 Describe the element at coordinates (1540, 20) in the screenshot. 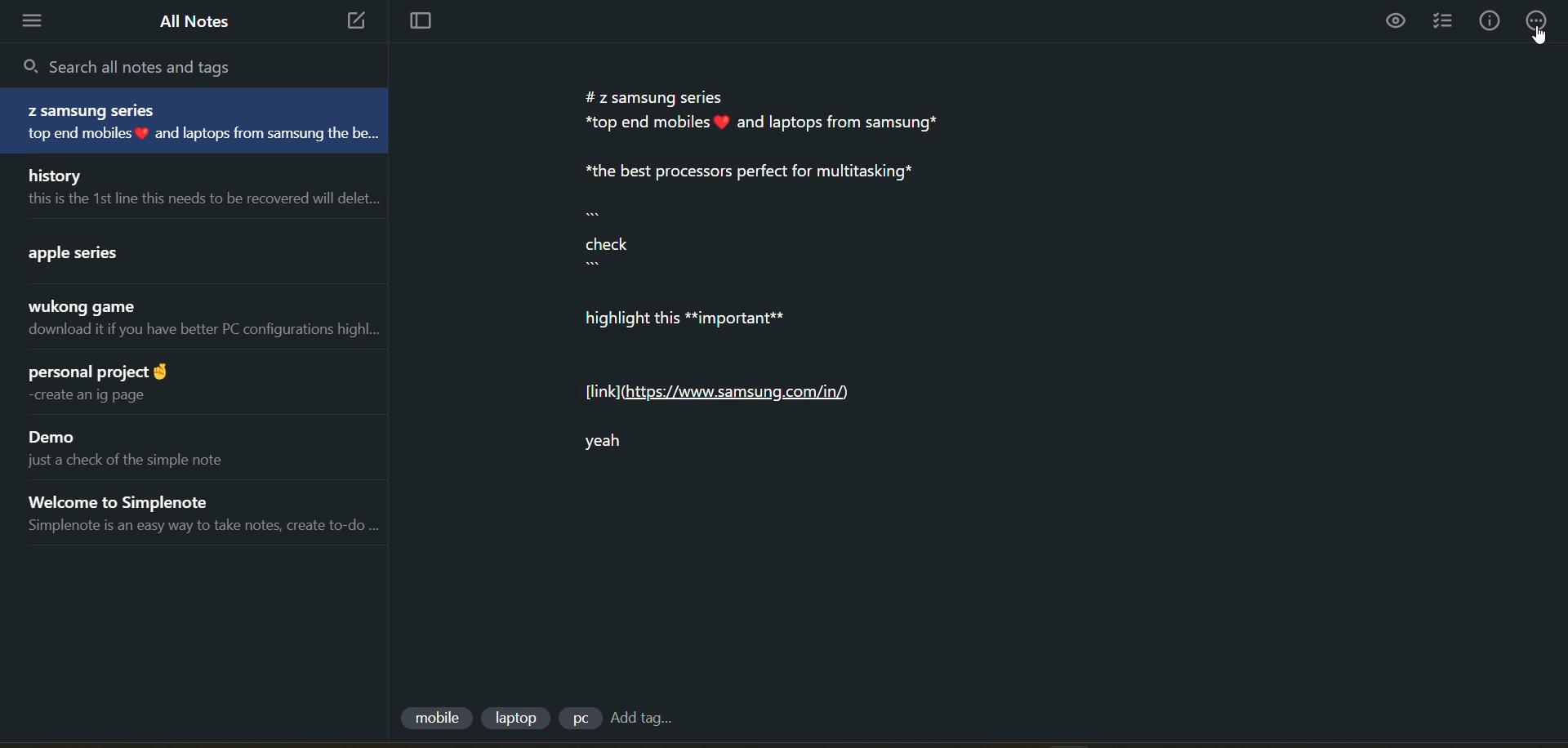

I see `actions` at that location.